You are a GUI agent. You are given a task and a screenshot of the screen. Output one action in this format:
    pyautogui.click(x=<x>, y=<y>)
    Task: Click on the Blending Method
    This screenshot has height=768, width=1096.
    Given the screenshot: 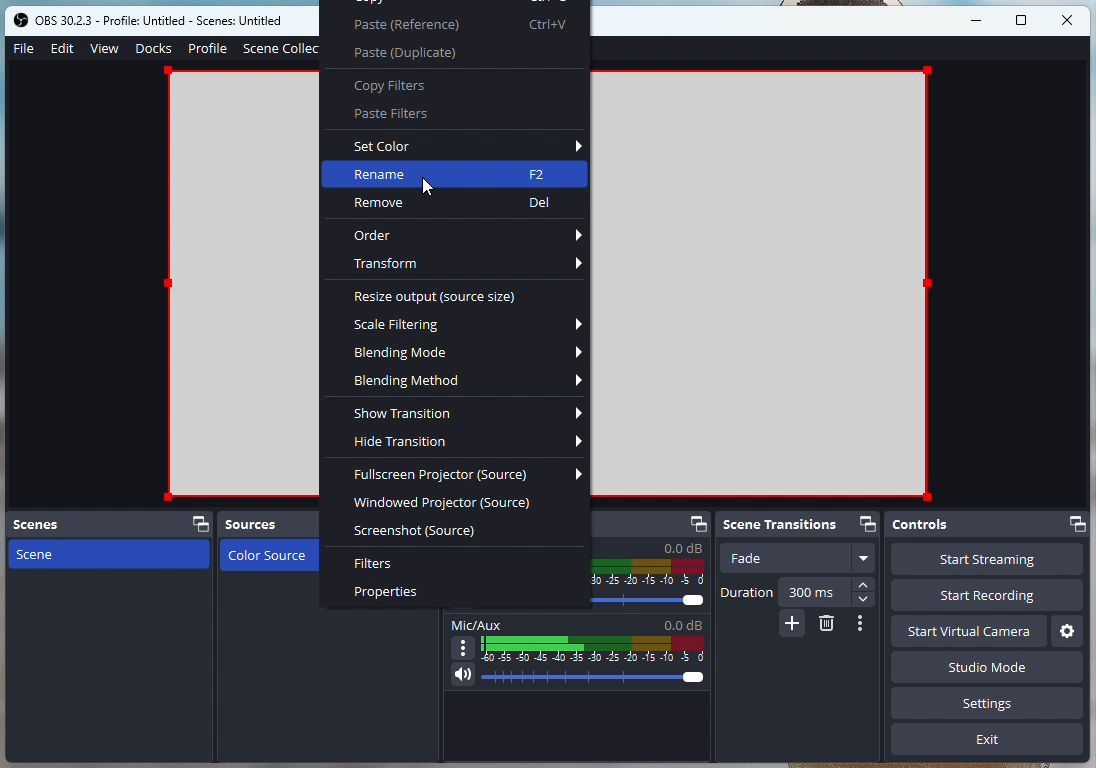 What is the action you would take?
    pyautogui.click(x=469, y=380)
    